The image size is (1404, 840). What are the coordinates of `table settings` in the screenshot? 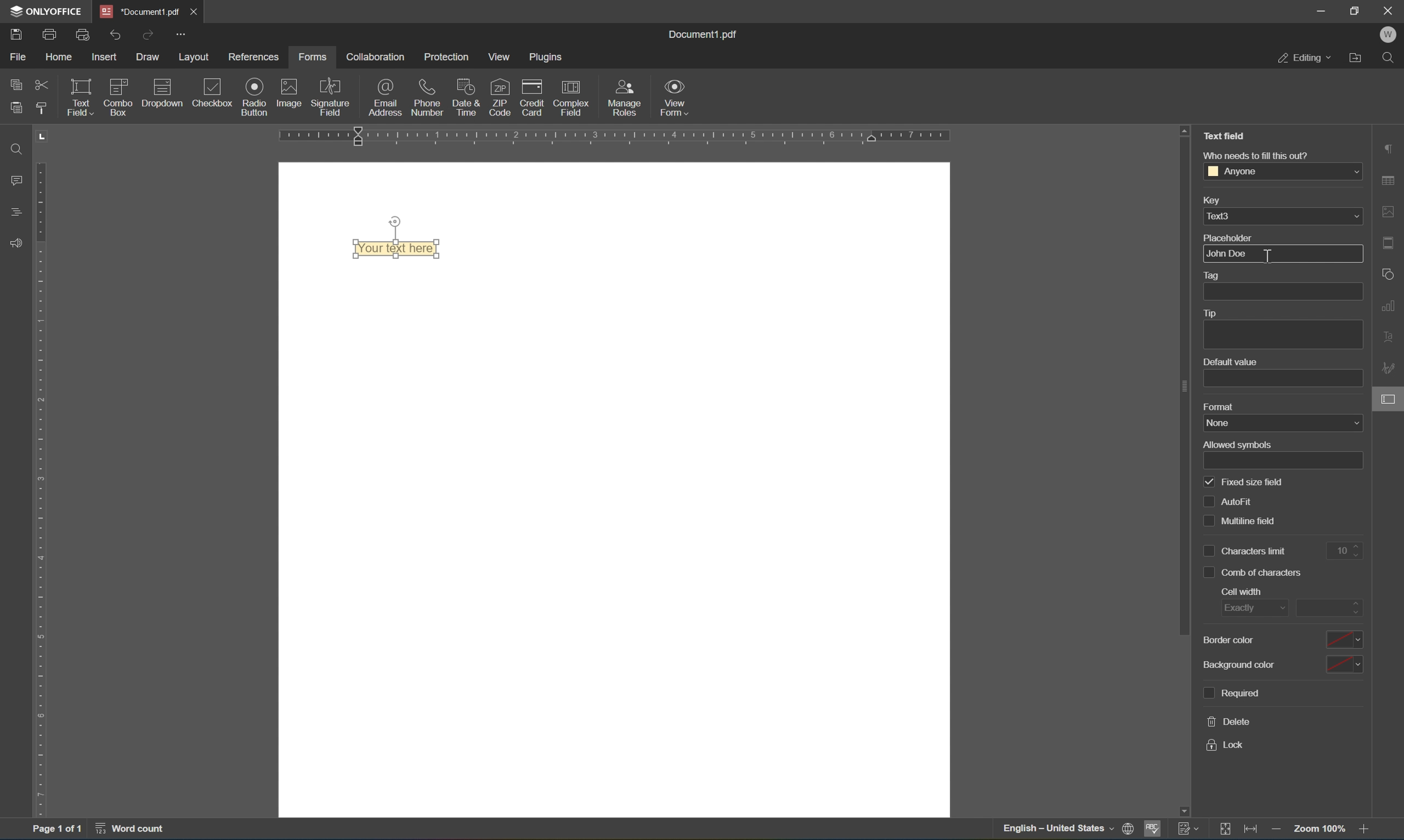 It's located at (1390, 181).